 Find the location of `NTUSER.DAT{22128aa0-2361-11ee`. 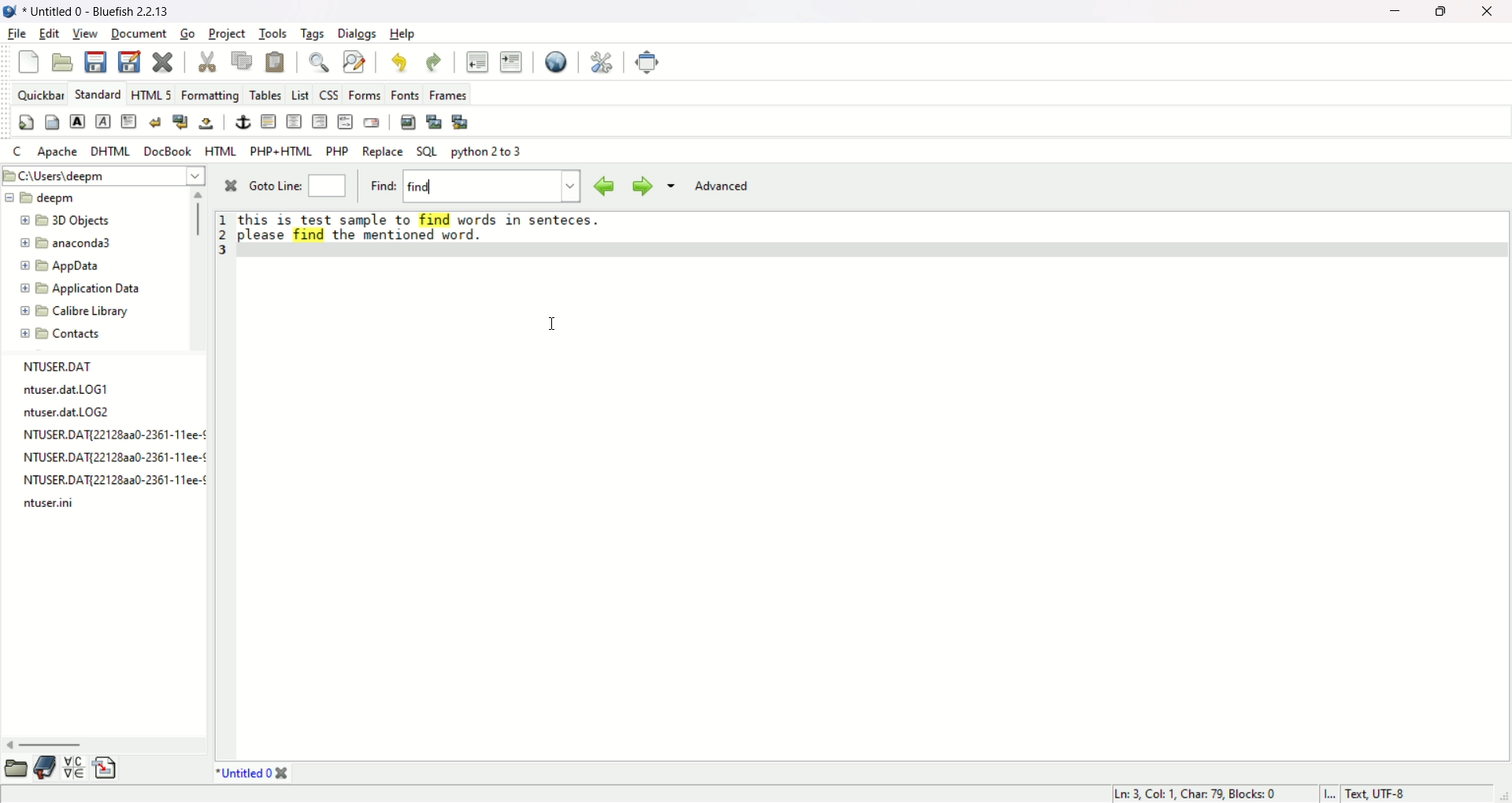

NTUSER.DAT{22128aa0-2361-11ee is located at coordinates (99, 435).